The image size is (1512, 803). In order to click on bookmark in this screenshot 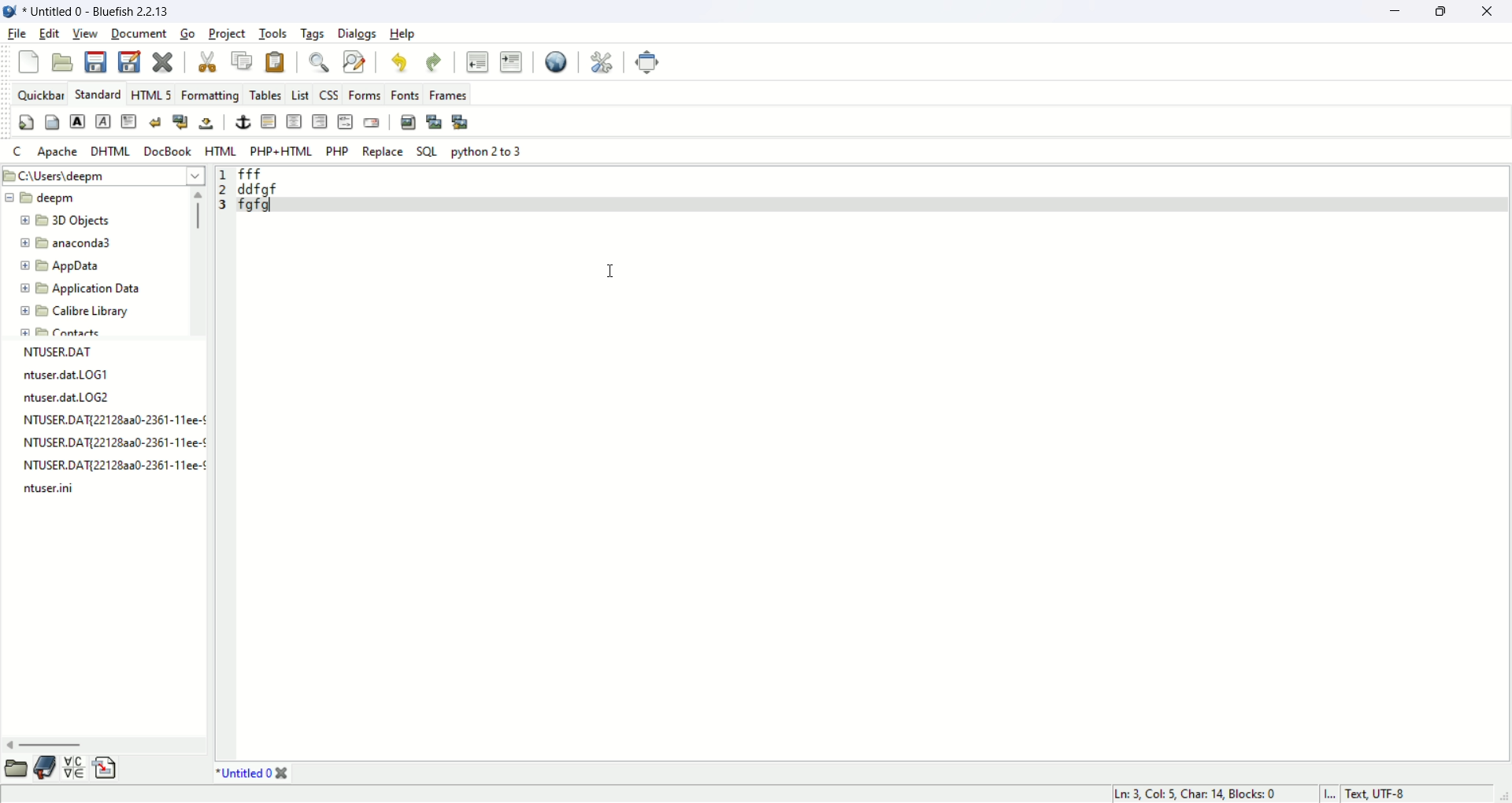, I will do `click(45, 769)`.